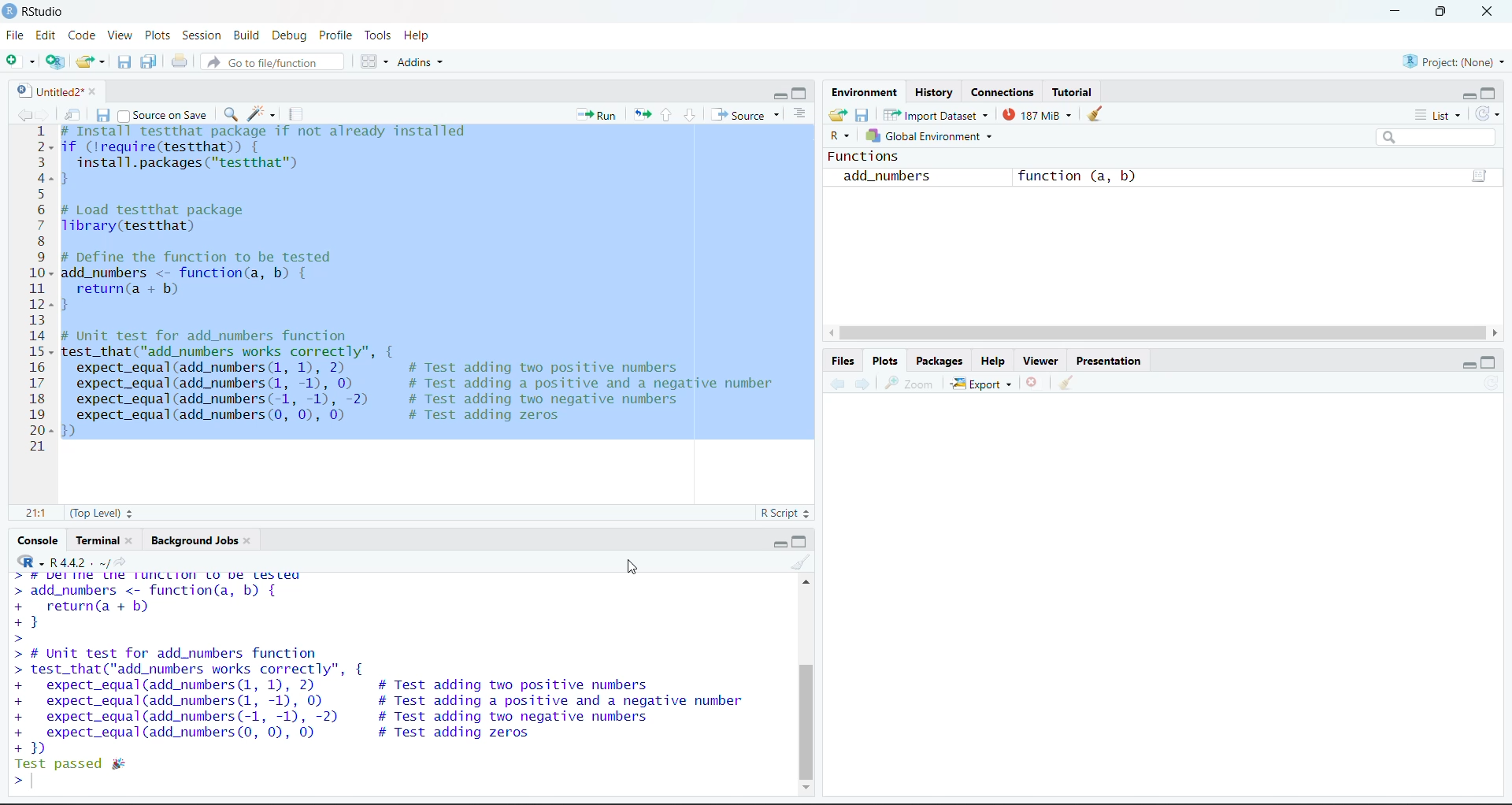  What do you see at coordinates (597, 114) in the screenshot?
I see `run` at bounding box center [597, 114].